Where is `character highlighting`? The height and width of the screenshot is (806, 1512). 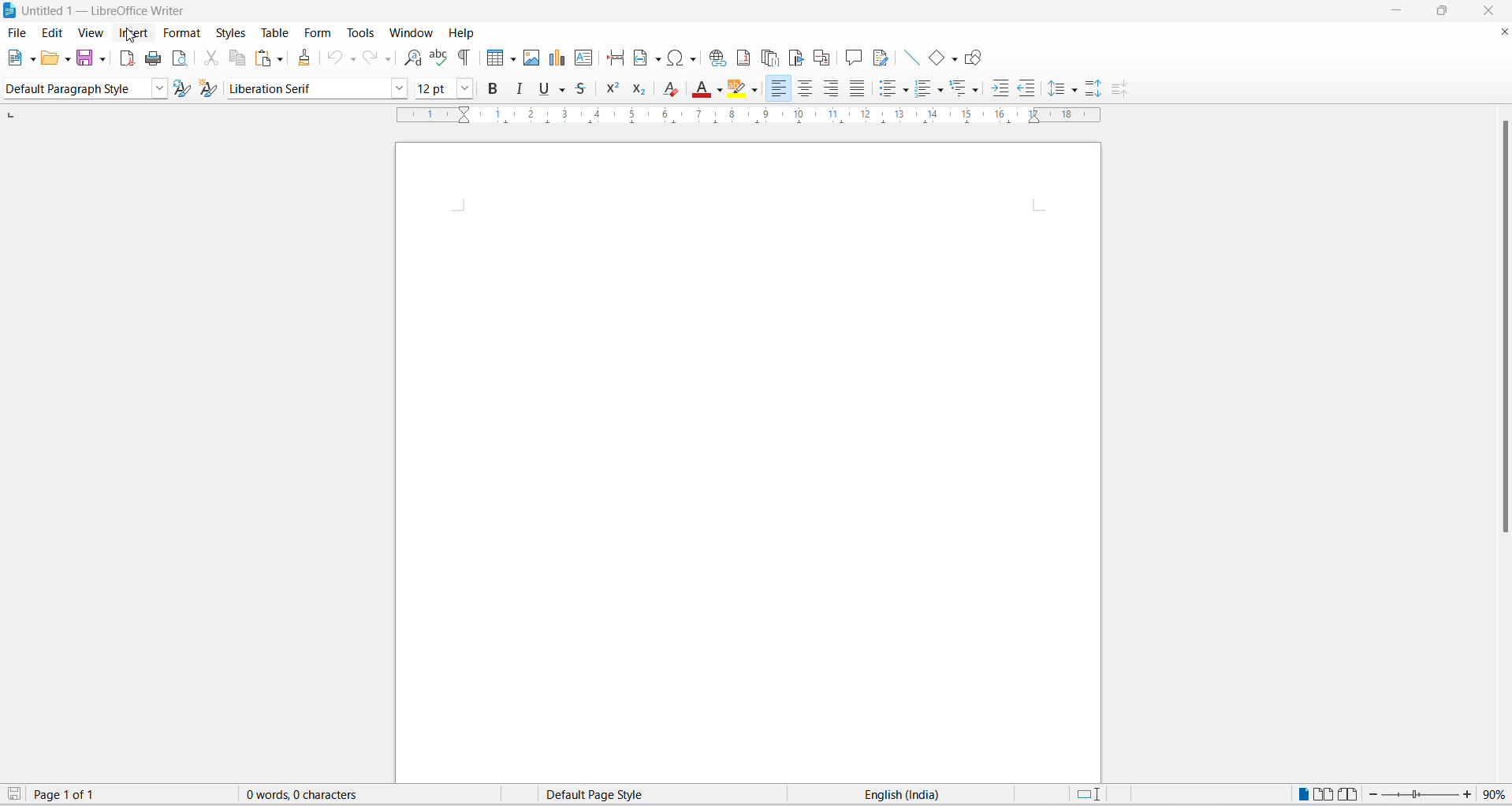 character highlighting is located at coordinates (738, 90).